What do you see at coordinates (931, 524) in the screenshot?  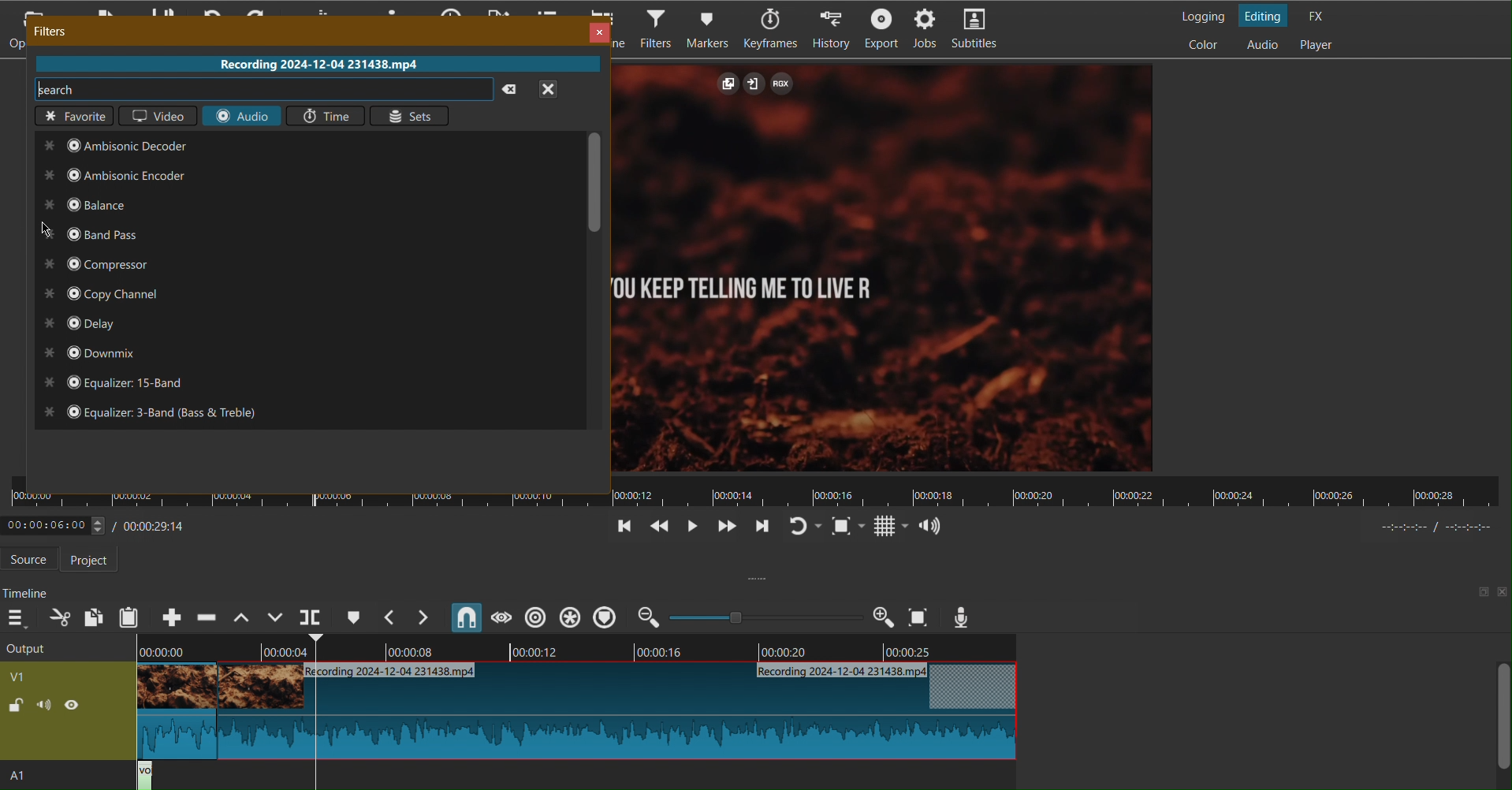 I see `Audio` at bounding box center [931, 524].